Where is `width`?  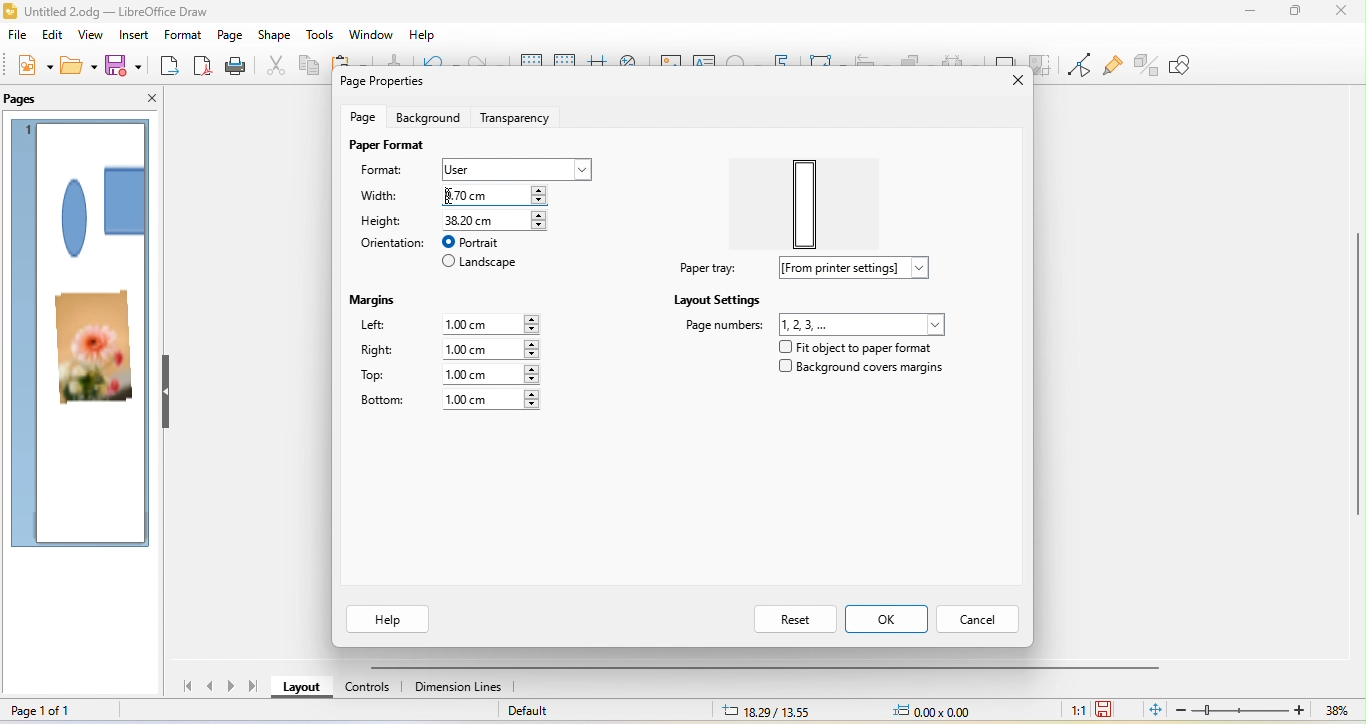
width is located at coordinates (386, 196).